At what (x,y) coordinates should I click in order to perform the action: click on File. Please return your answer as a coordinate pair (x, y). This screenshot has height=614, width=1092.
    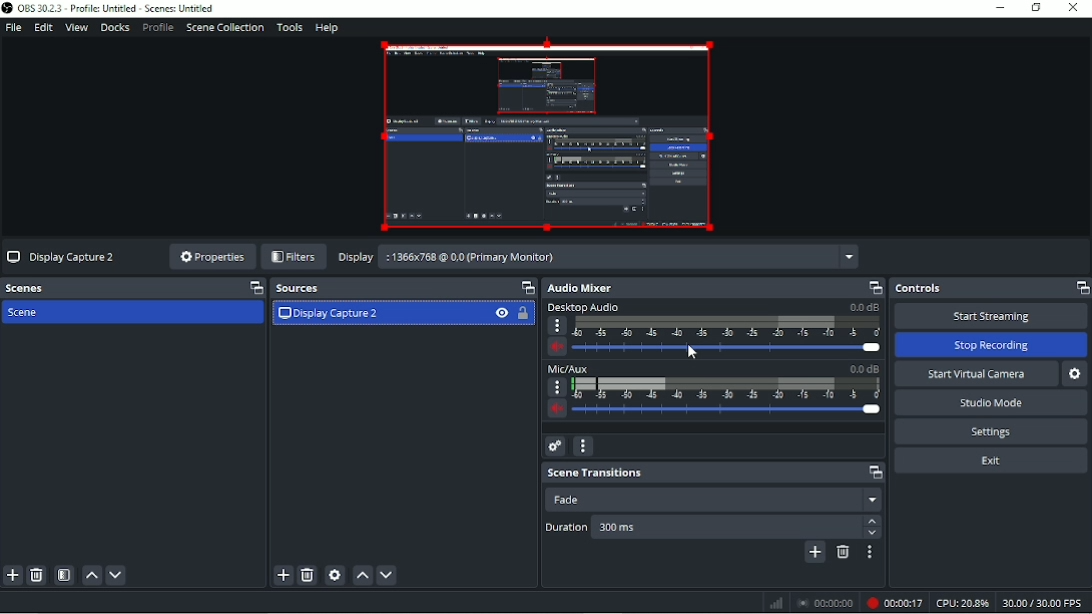
    Looking at the image, I should click on (13, 27).